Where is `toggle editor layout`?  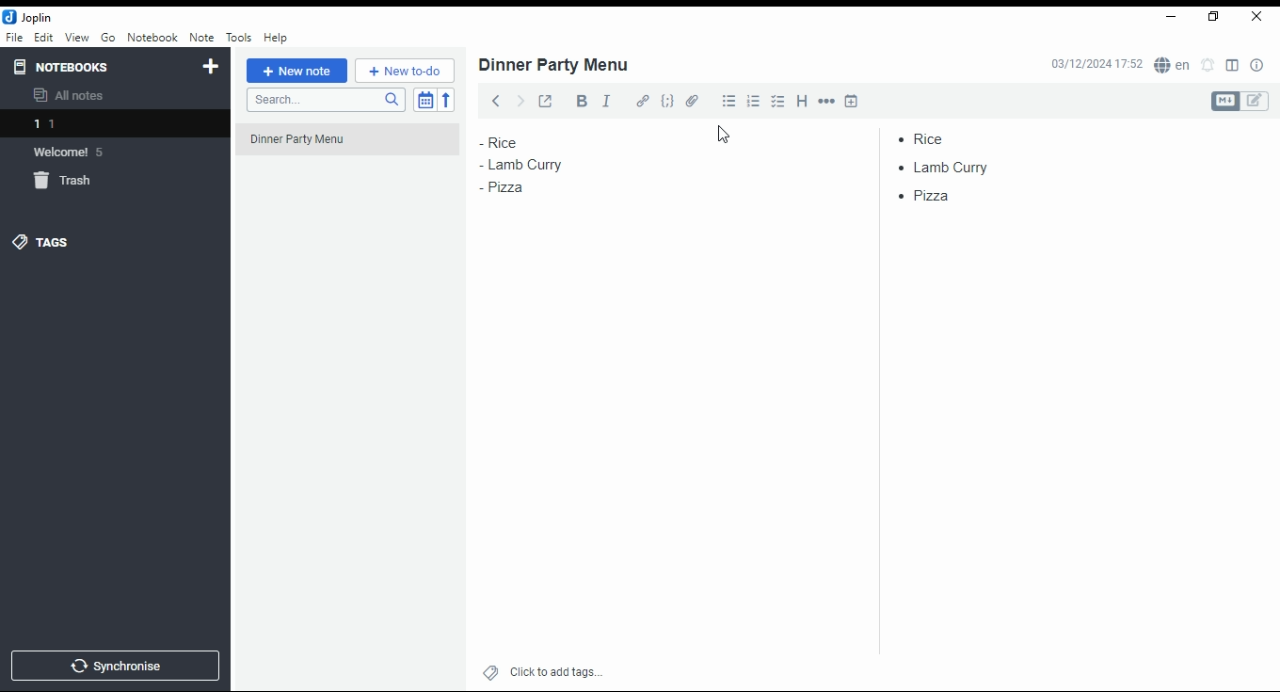 toggle editor layout is located at coordinates (1232, 66).